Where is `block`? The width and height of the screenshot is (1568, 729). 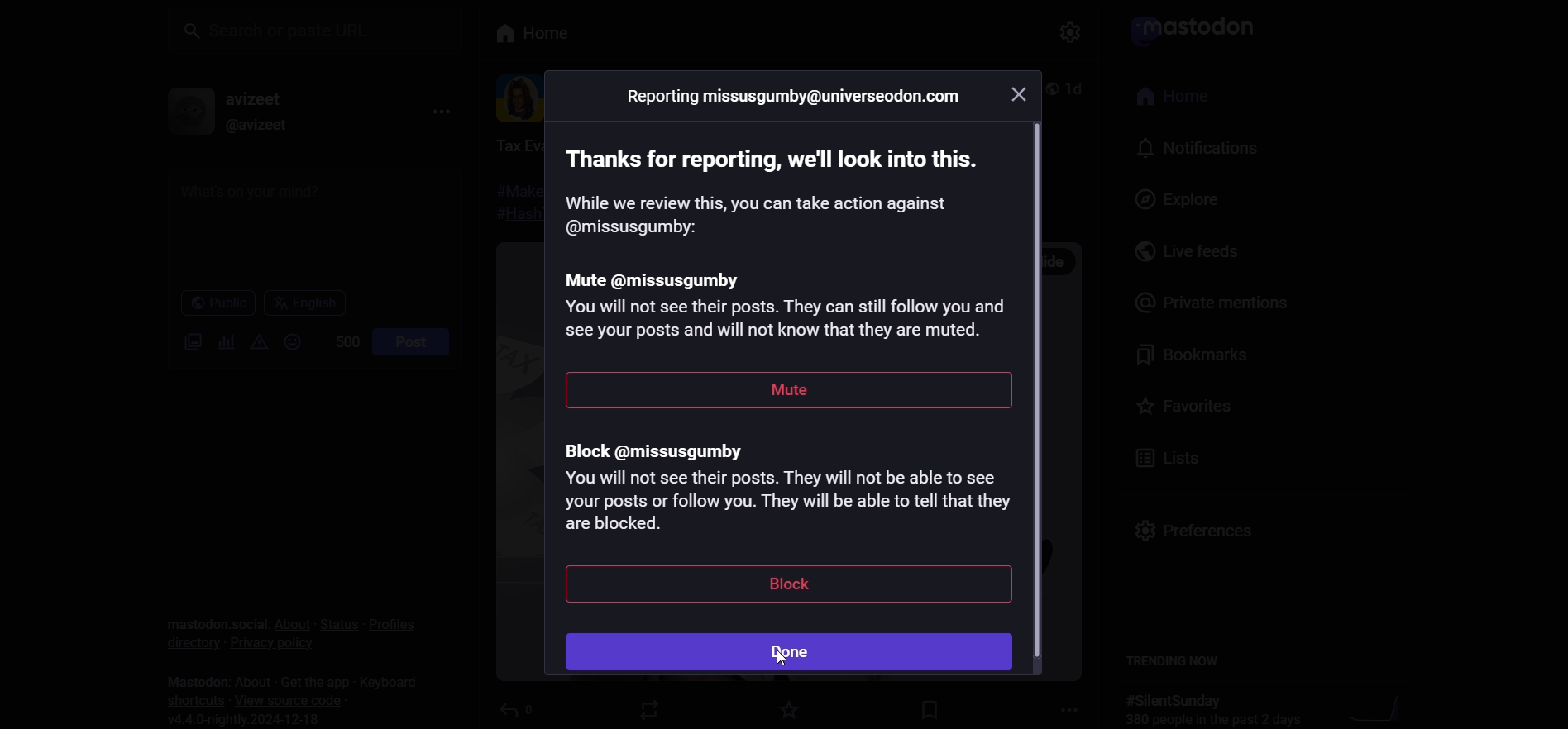 block is located at coordinates (789, 587).